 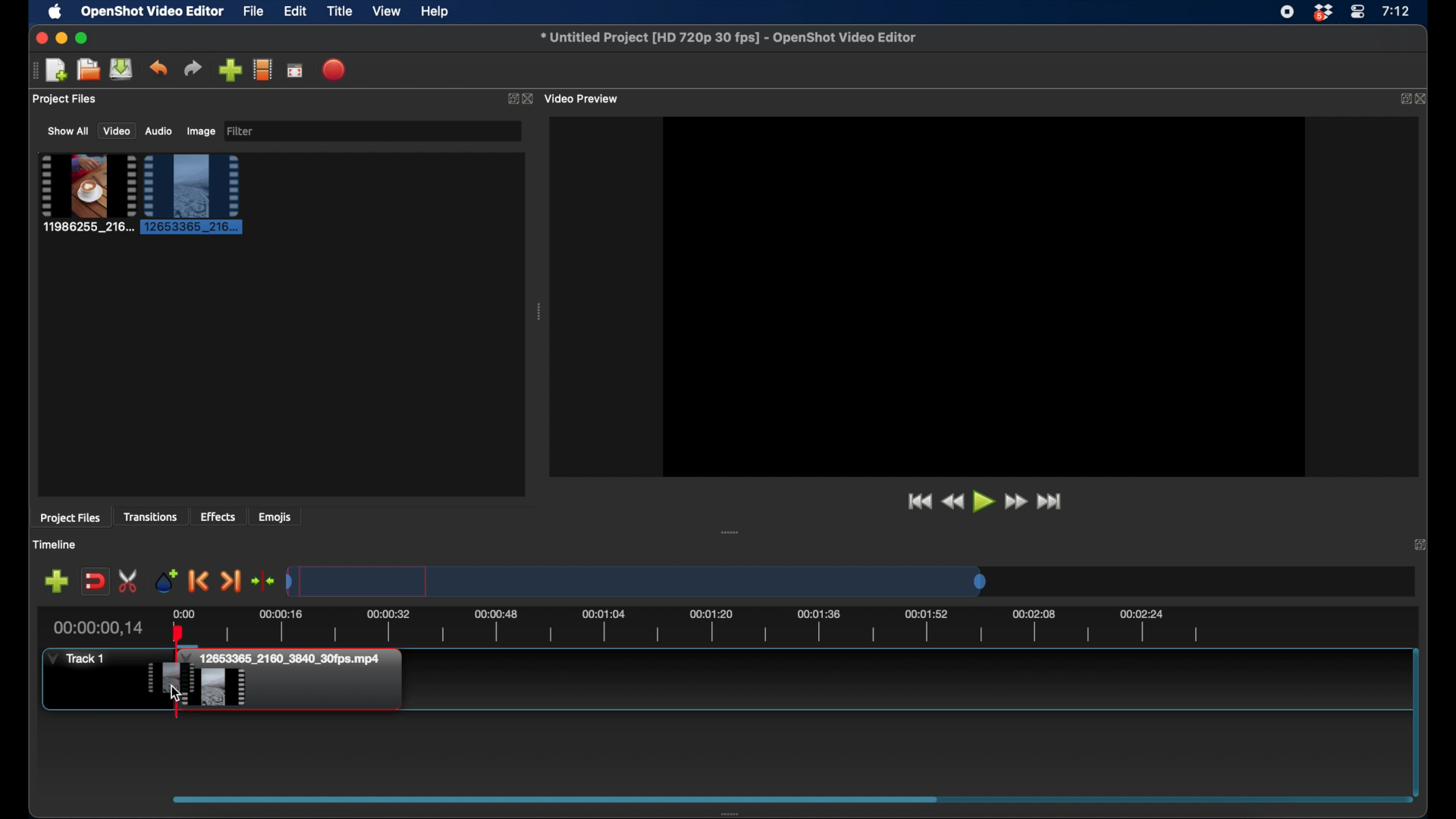 I want to click on 0.00, so click(x=183, y=613).